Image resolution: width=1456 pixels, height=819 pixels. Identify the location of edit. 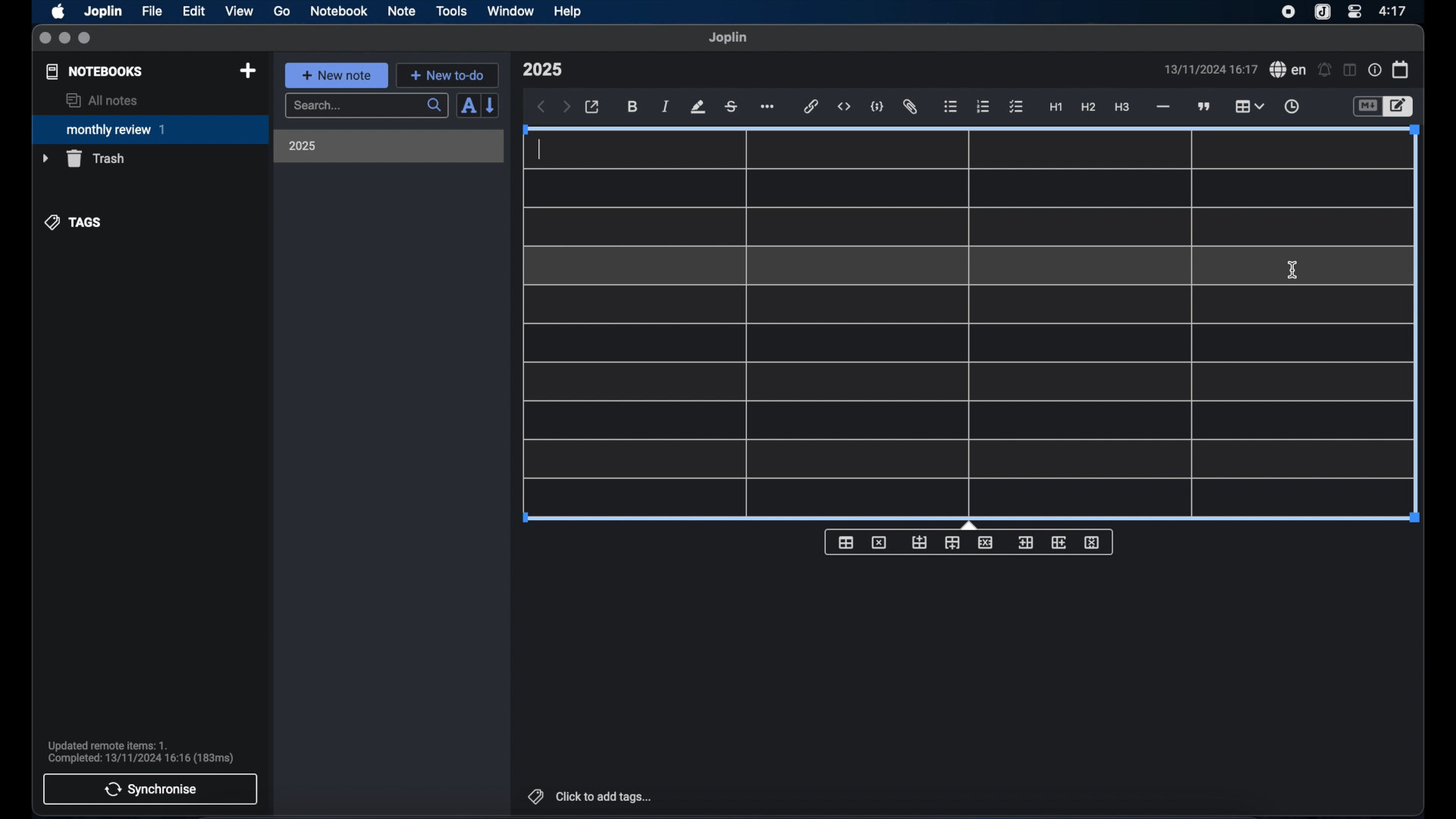
(195, 11).